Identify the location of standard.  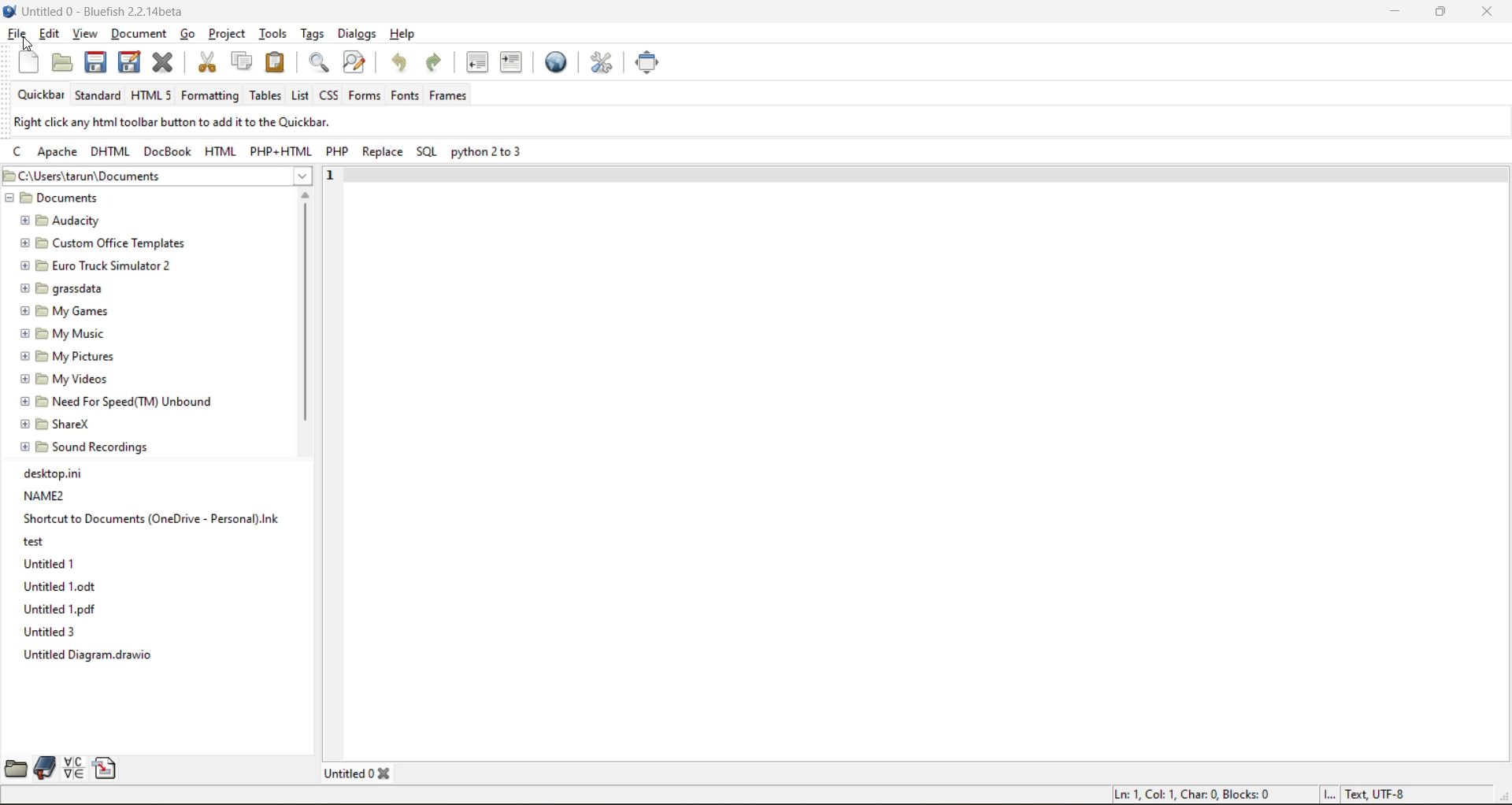
(102, 95).